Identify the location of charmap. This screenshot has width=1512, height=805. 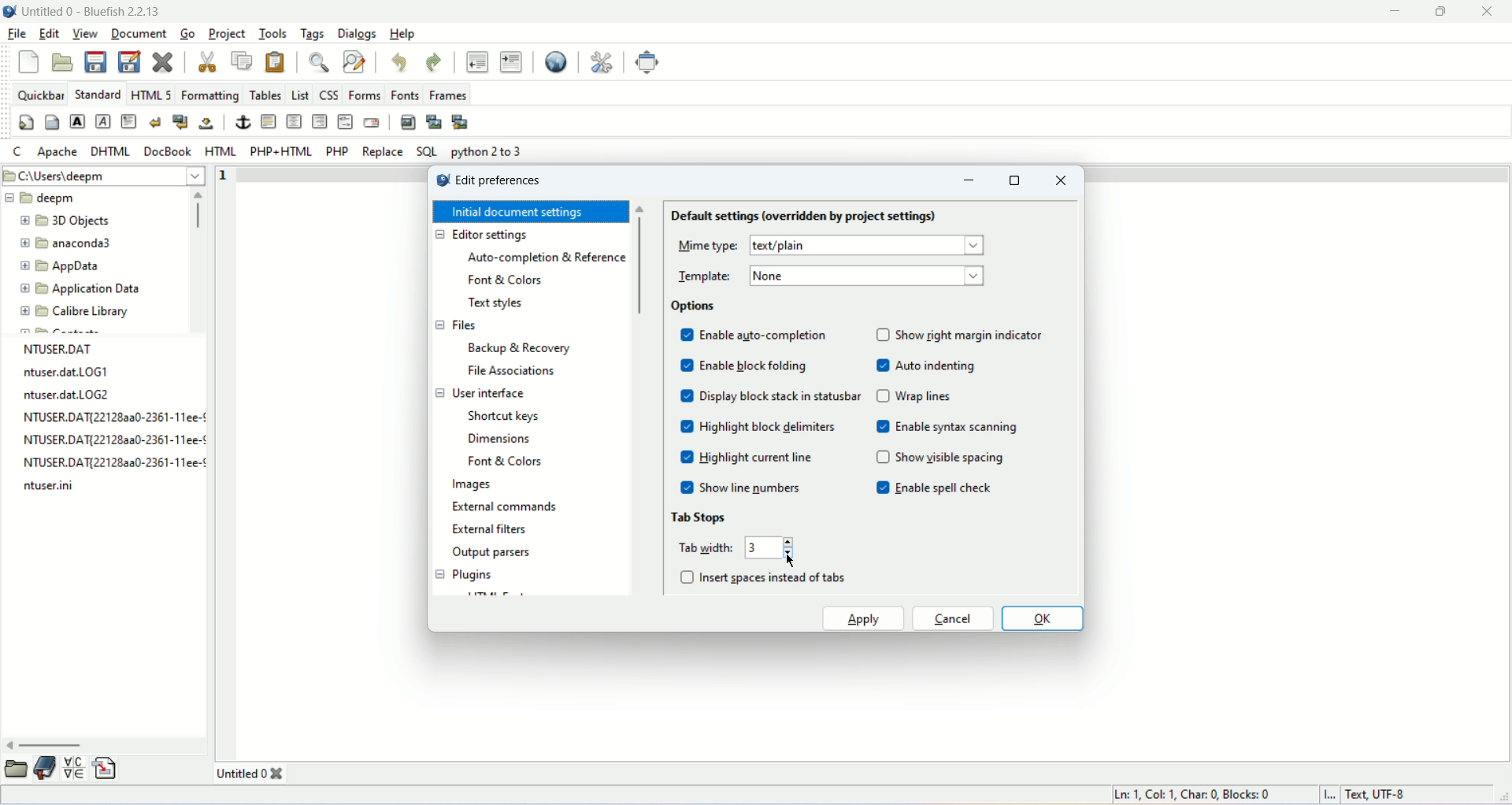
(73, 768).